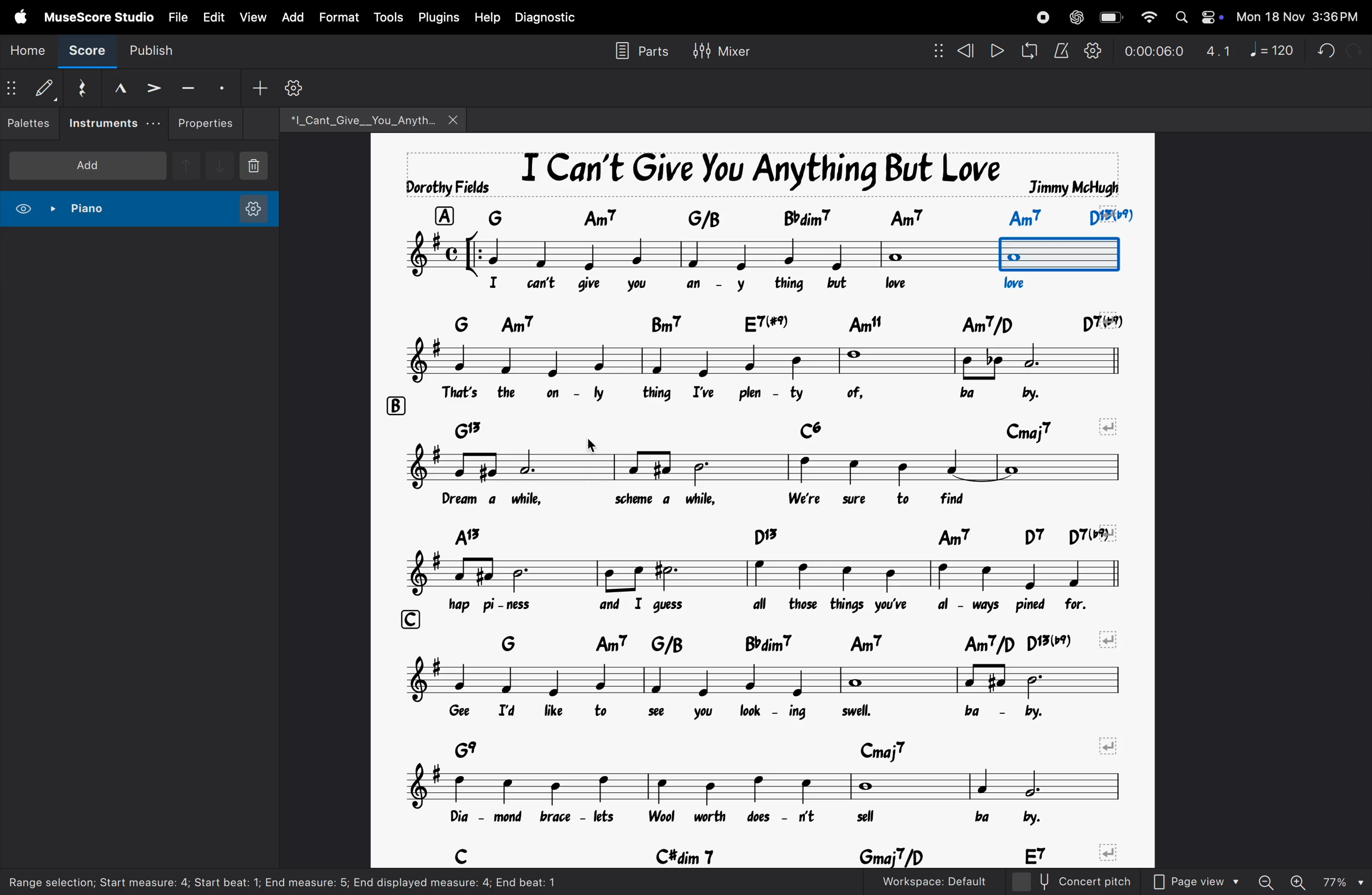  I want to click on  default, so click(33, 87).